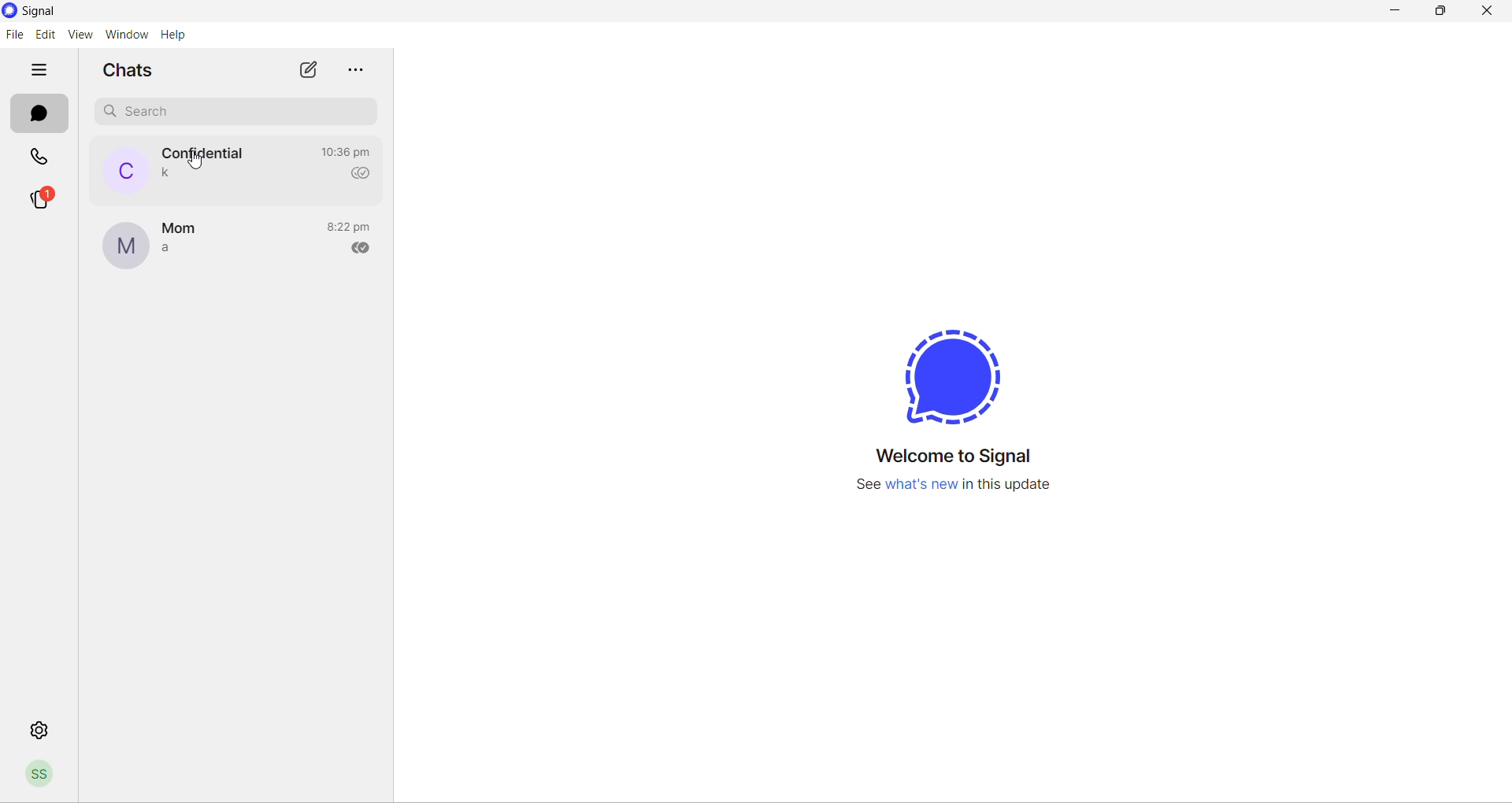  What do you see at coordinates (369, 68) in the screenshot?
I see `more options` at bounding box center [369, 68].